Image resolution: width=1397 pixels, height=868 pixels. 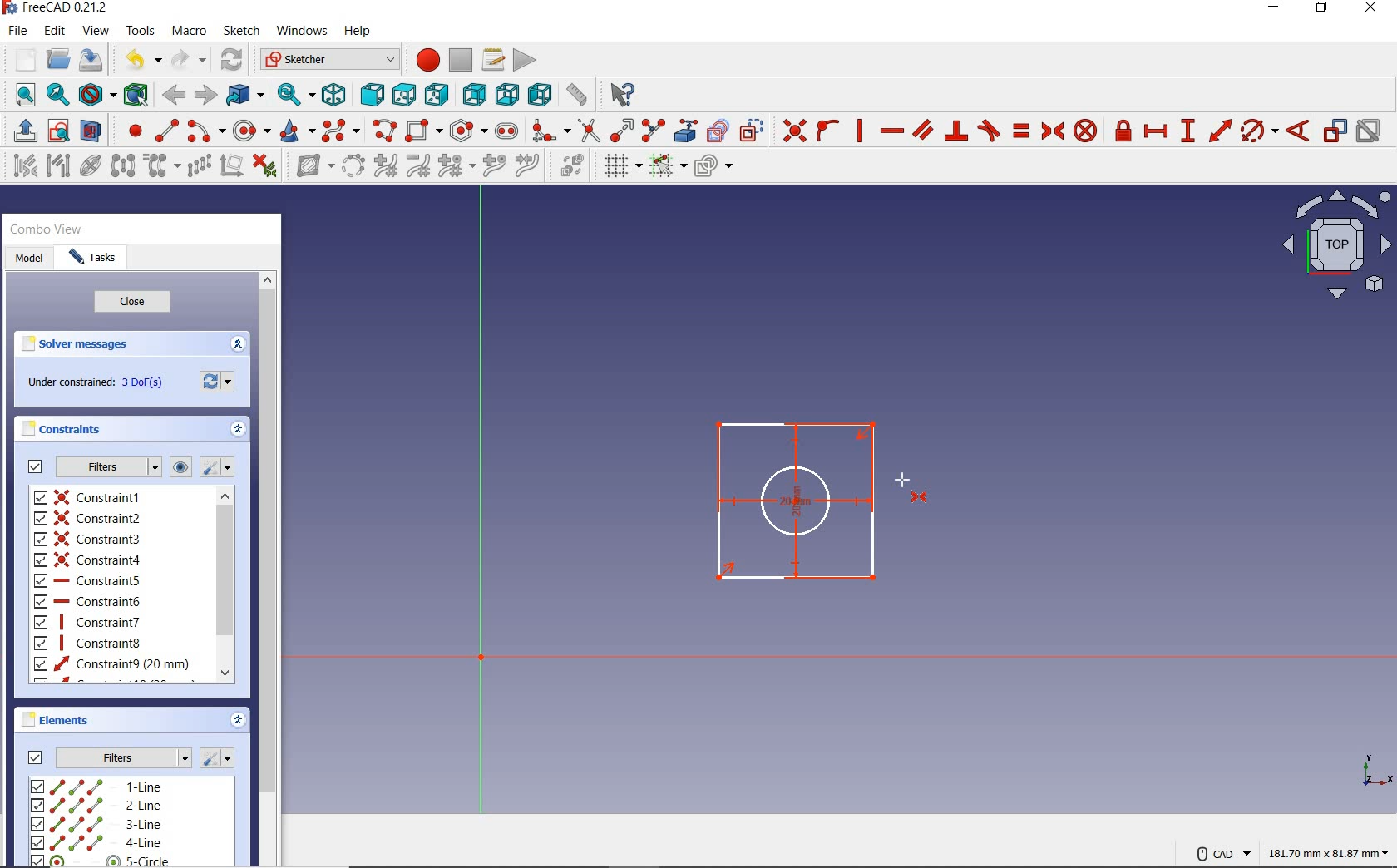 What do you see at coordinates (190, 30) in the screenshot?
I see `macro` at bounding box center [190, 30].